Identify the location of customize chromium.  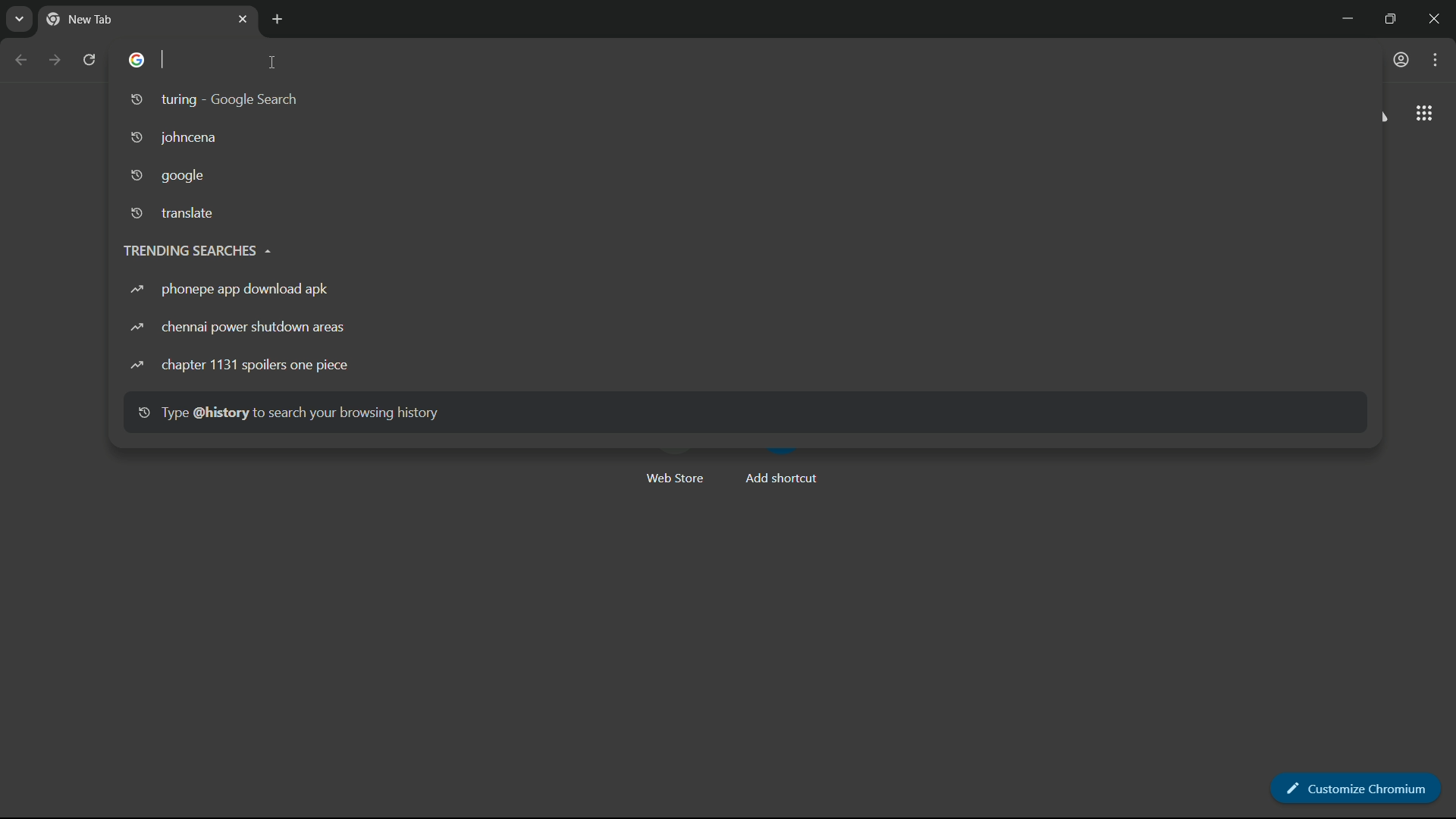
(1436, 60).